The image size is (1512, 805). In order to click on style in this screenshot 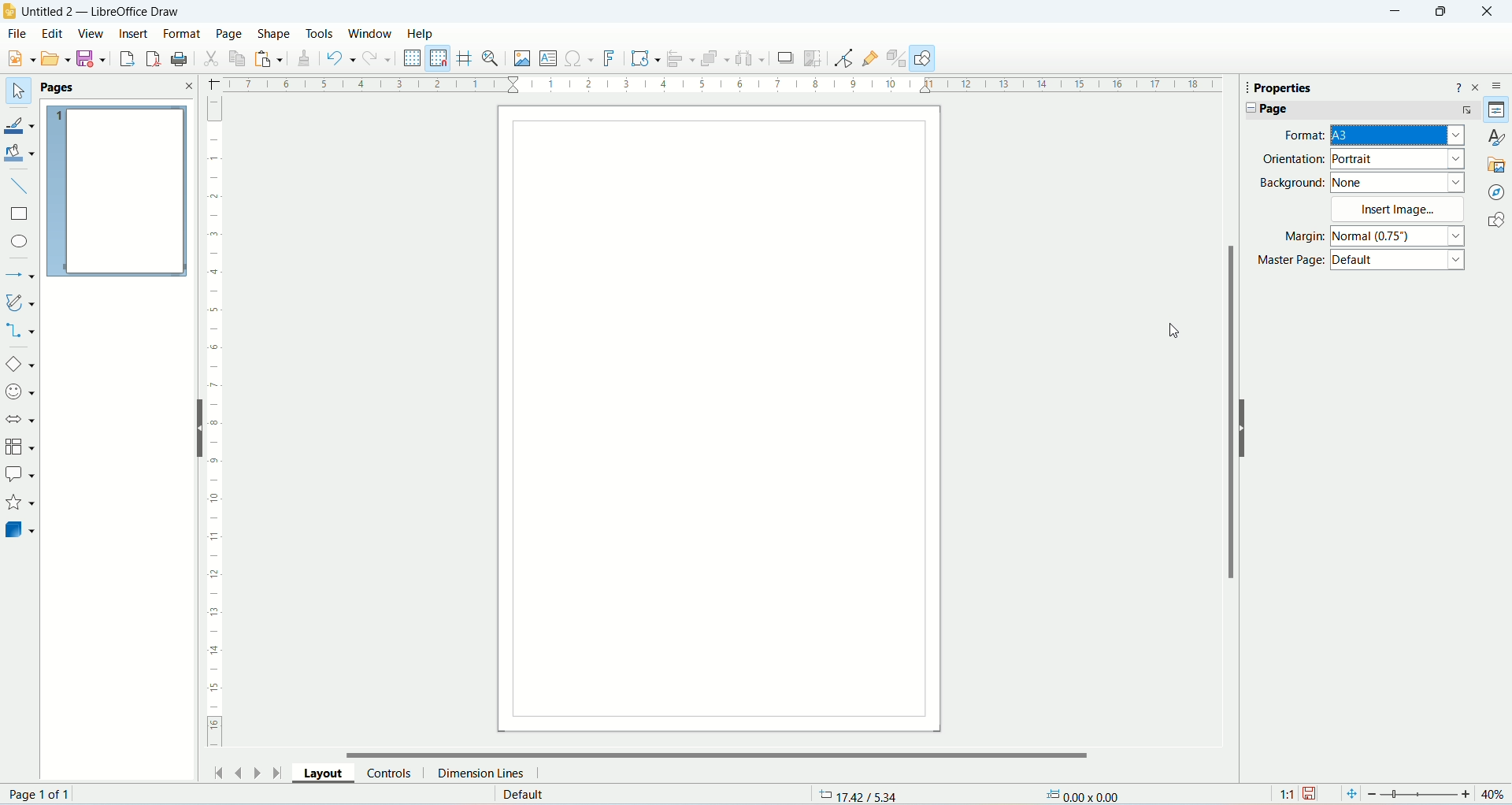, I will do `click(1498, 136)`.